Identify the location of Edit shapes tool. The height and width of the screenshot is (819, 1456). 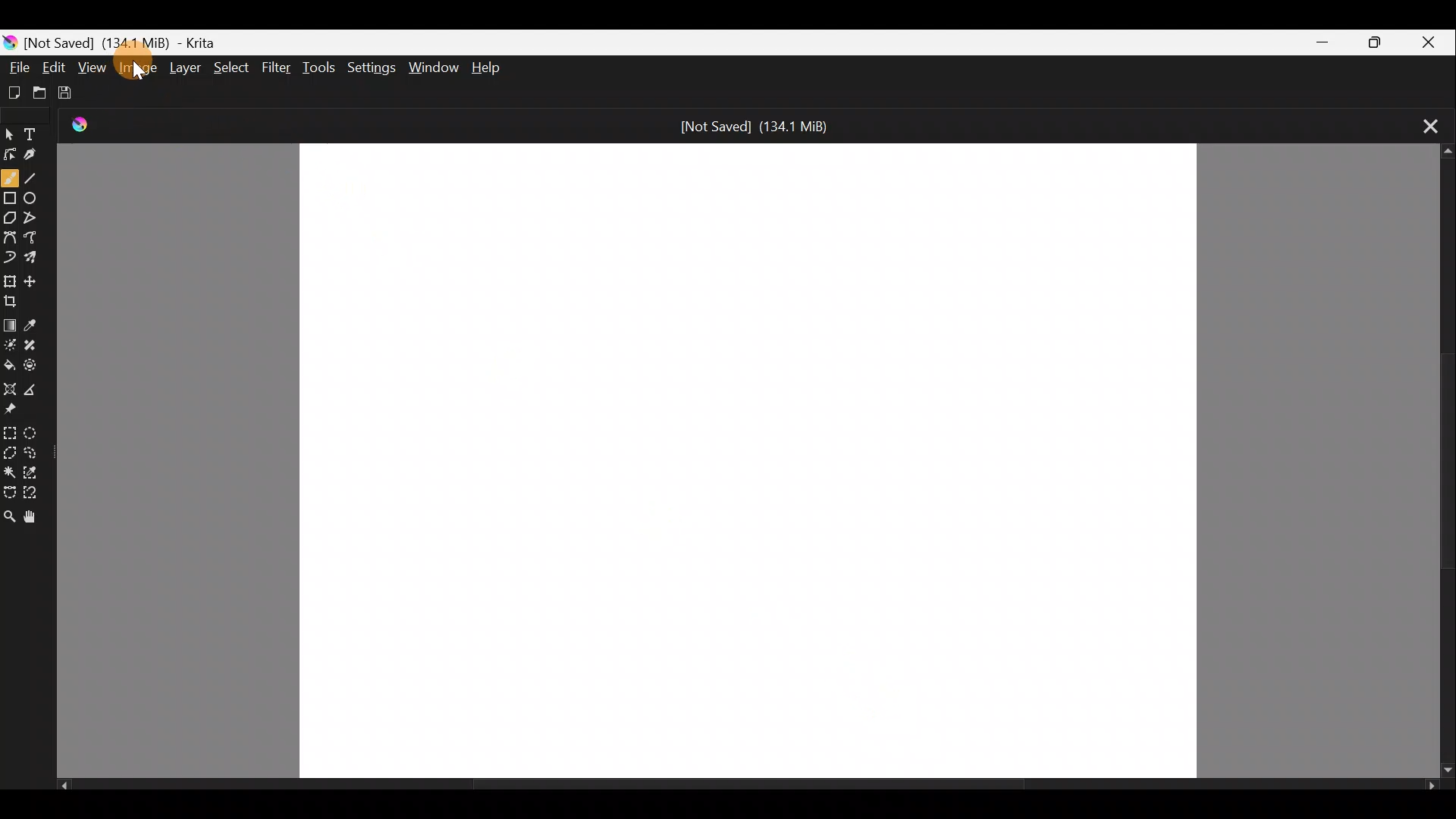
(11, 153).